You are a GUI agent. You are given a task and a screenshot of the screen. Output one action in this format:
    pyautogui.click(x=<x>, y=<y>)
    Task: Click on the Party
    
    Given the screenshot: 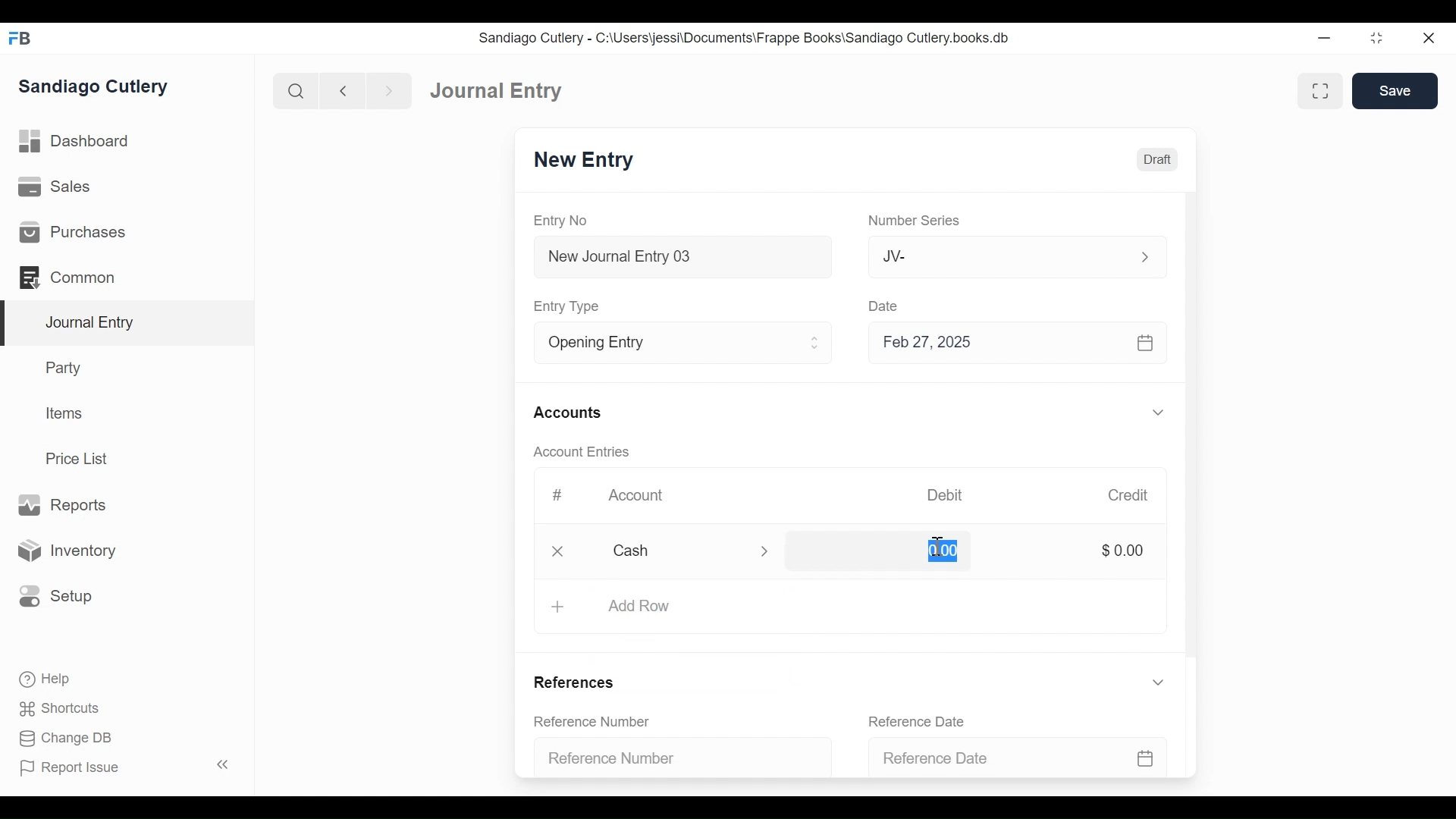 What is the action you would take?
    pyautogui.click(x=66, y=367)
    